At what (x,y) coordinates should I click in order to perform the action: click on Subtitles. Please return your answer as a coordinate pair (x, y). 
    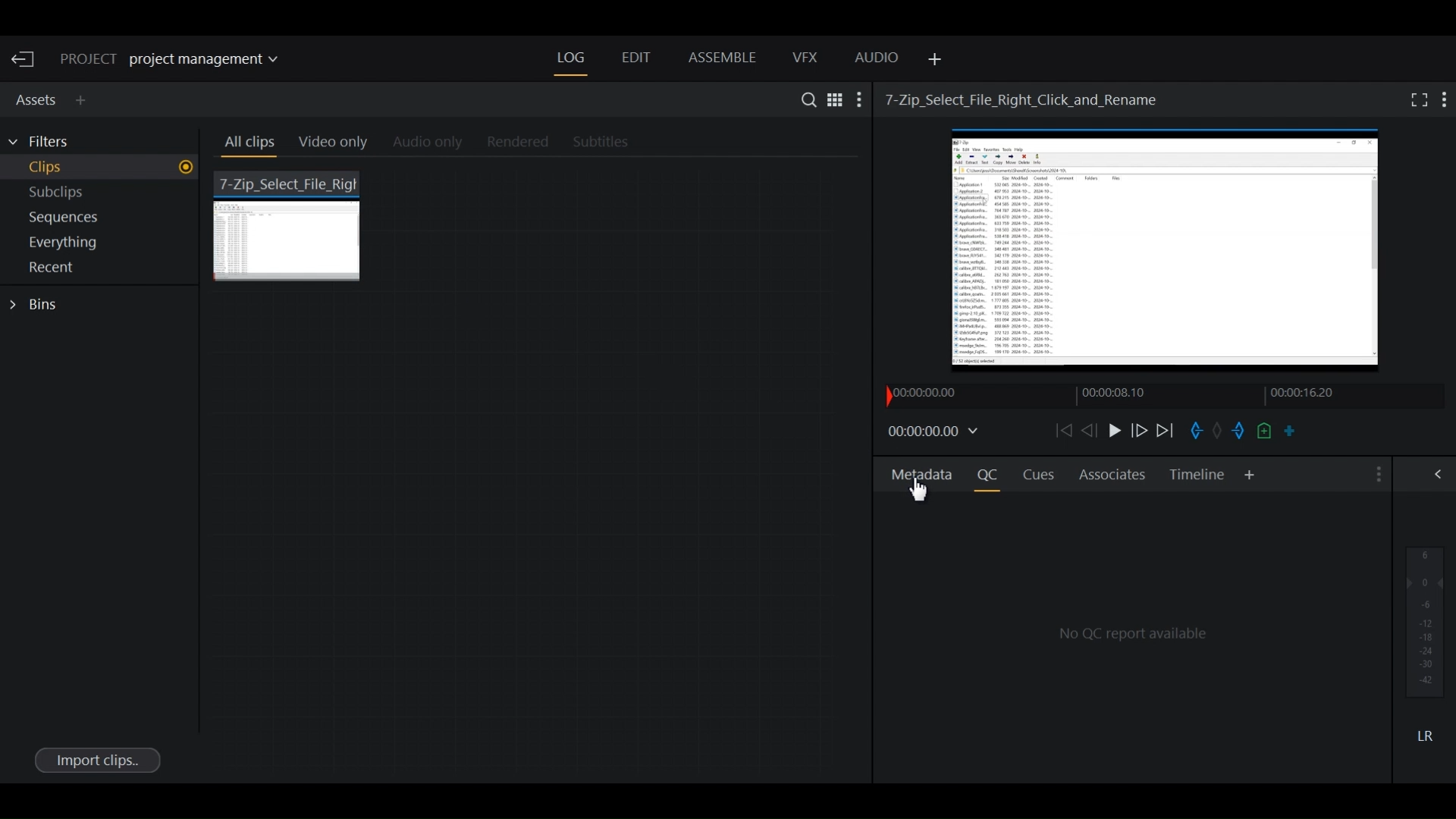
    Looking at the image, I should click on (610, 143).